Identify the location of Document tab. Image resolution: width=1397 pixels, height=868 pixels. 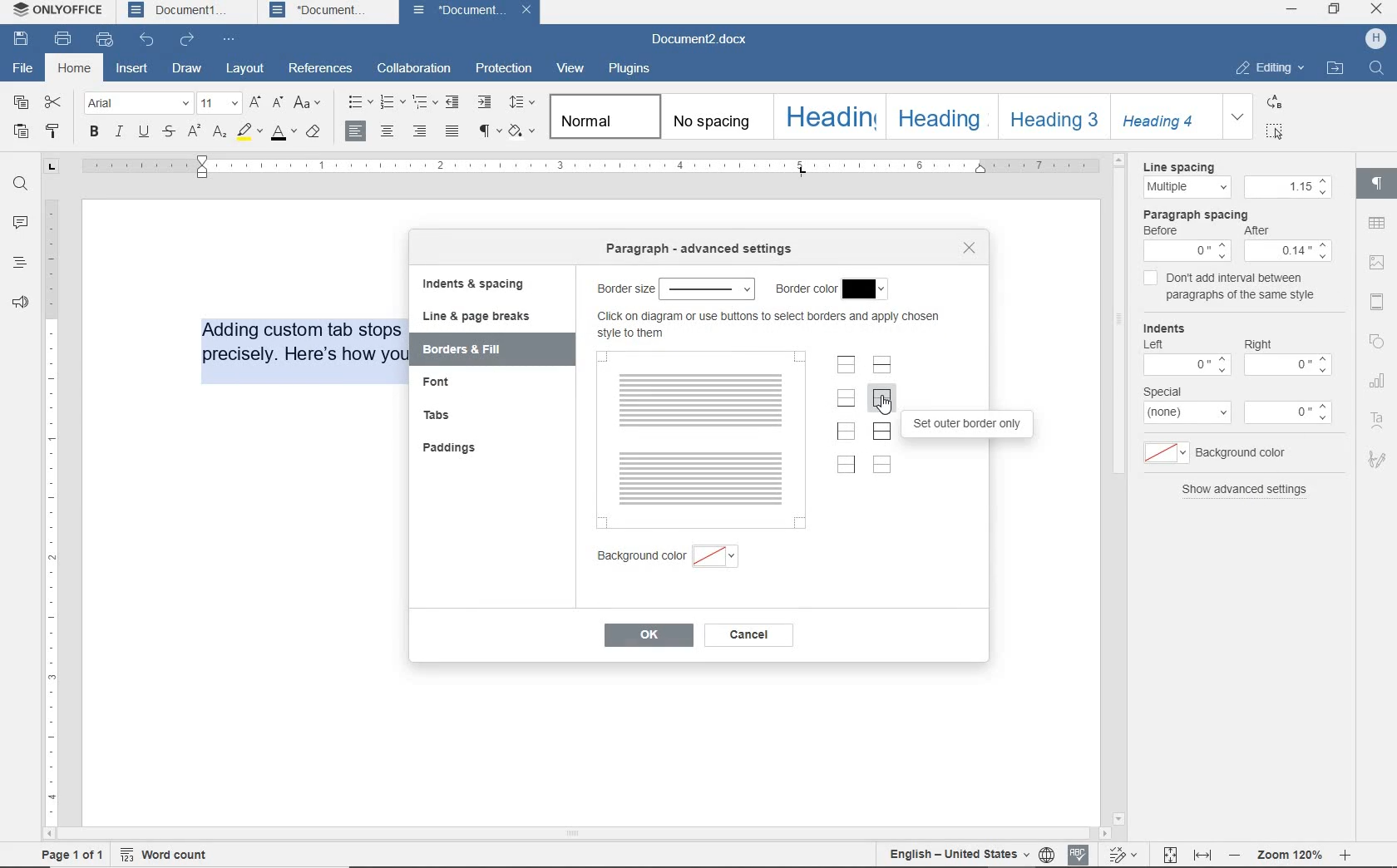
(322, 11).